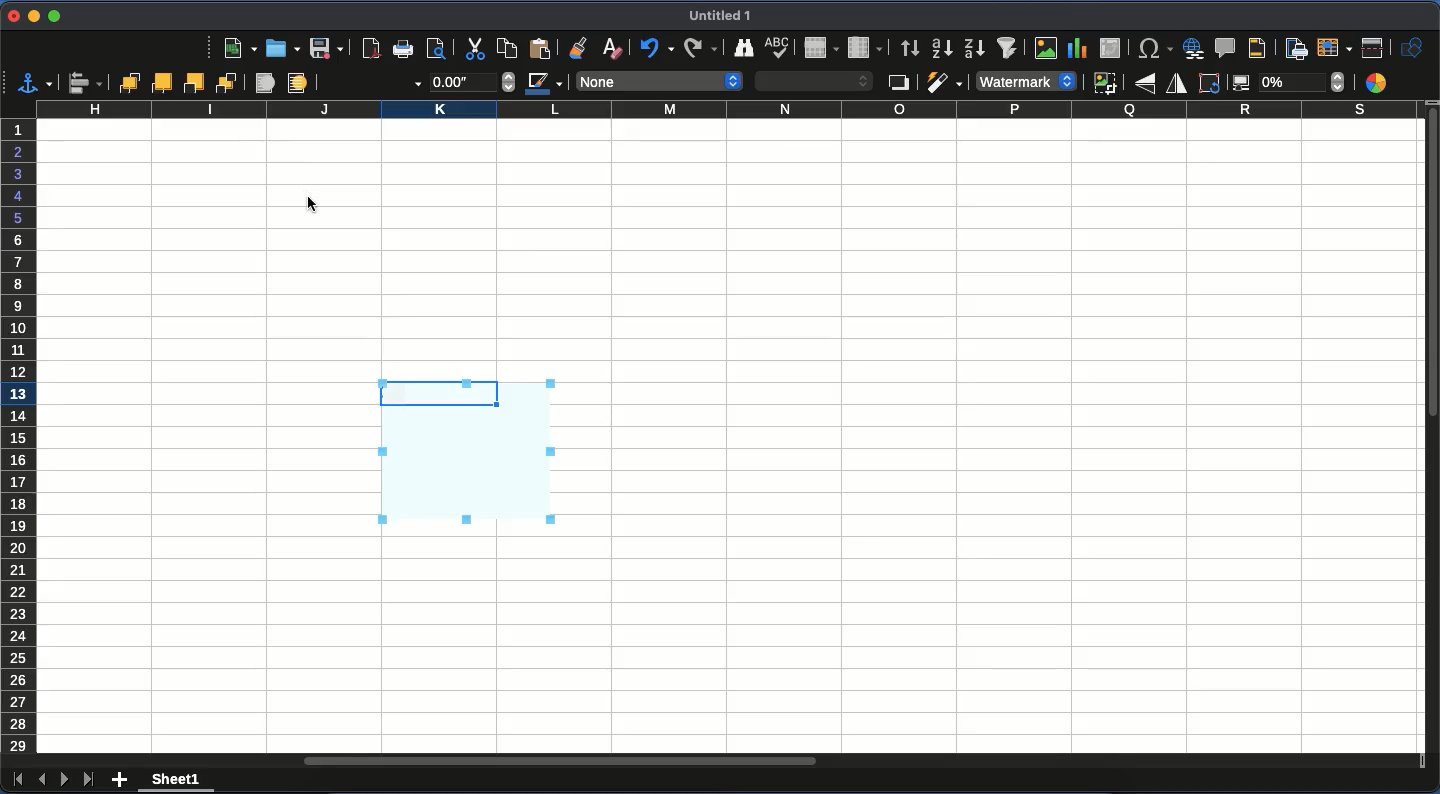 Image resolution: width=1440 pixels, height=794 pixels. What do you see at coordinates (719, 15) in the screenshot?
I see `untitled` at bounding box center [719, 15].